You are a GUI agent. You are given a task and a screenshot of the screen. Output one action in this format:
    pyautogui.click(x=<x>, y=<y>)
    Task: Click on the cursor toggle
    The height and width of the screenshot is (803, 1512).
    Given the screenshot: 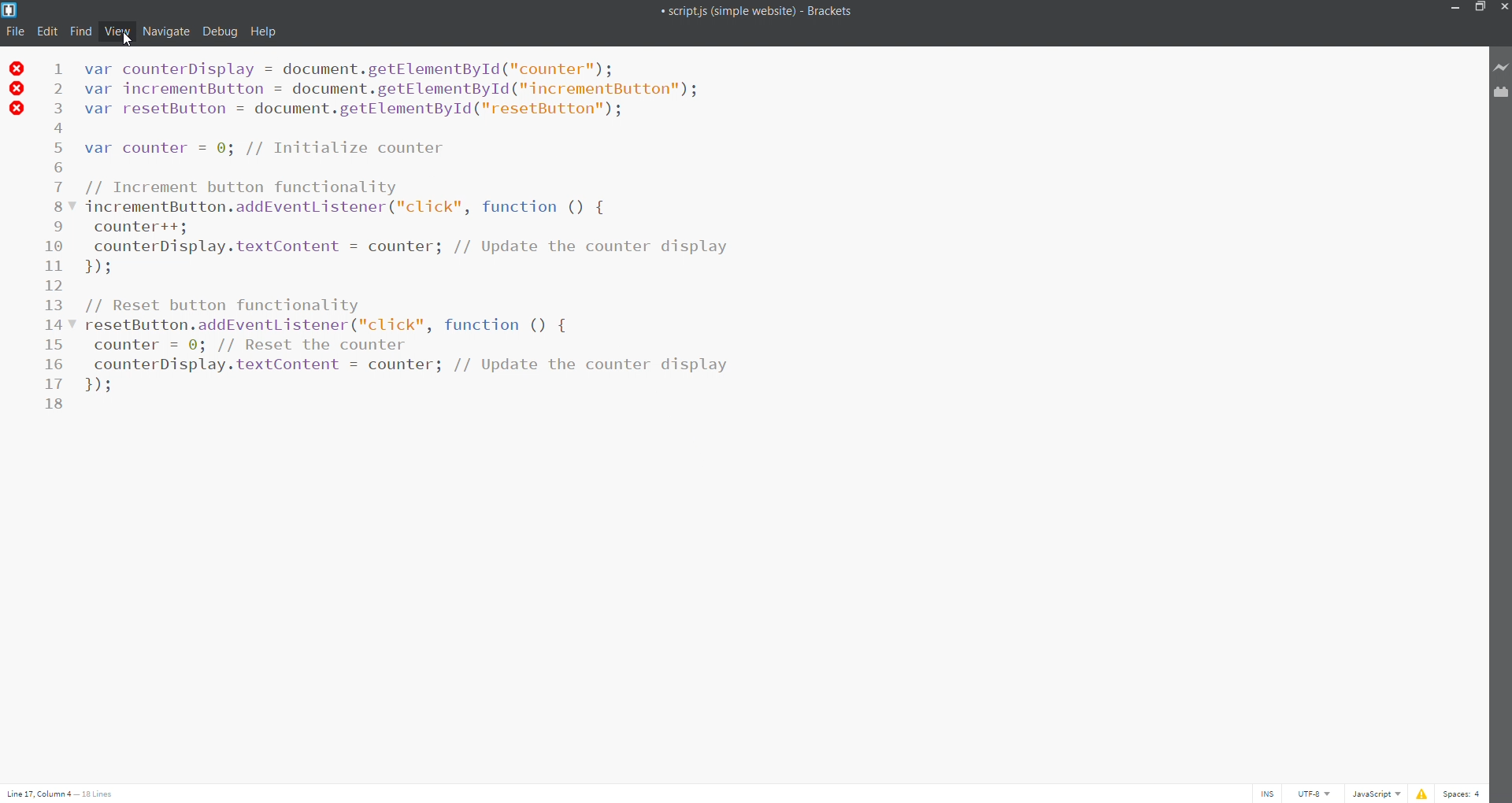 What is the action you would take?
    pyautogui.click(x=1267, y=794)
    